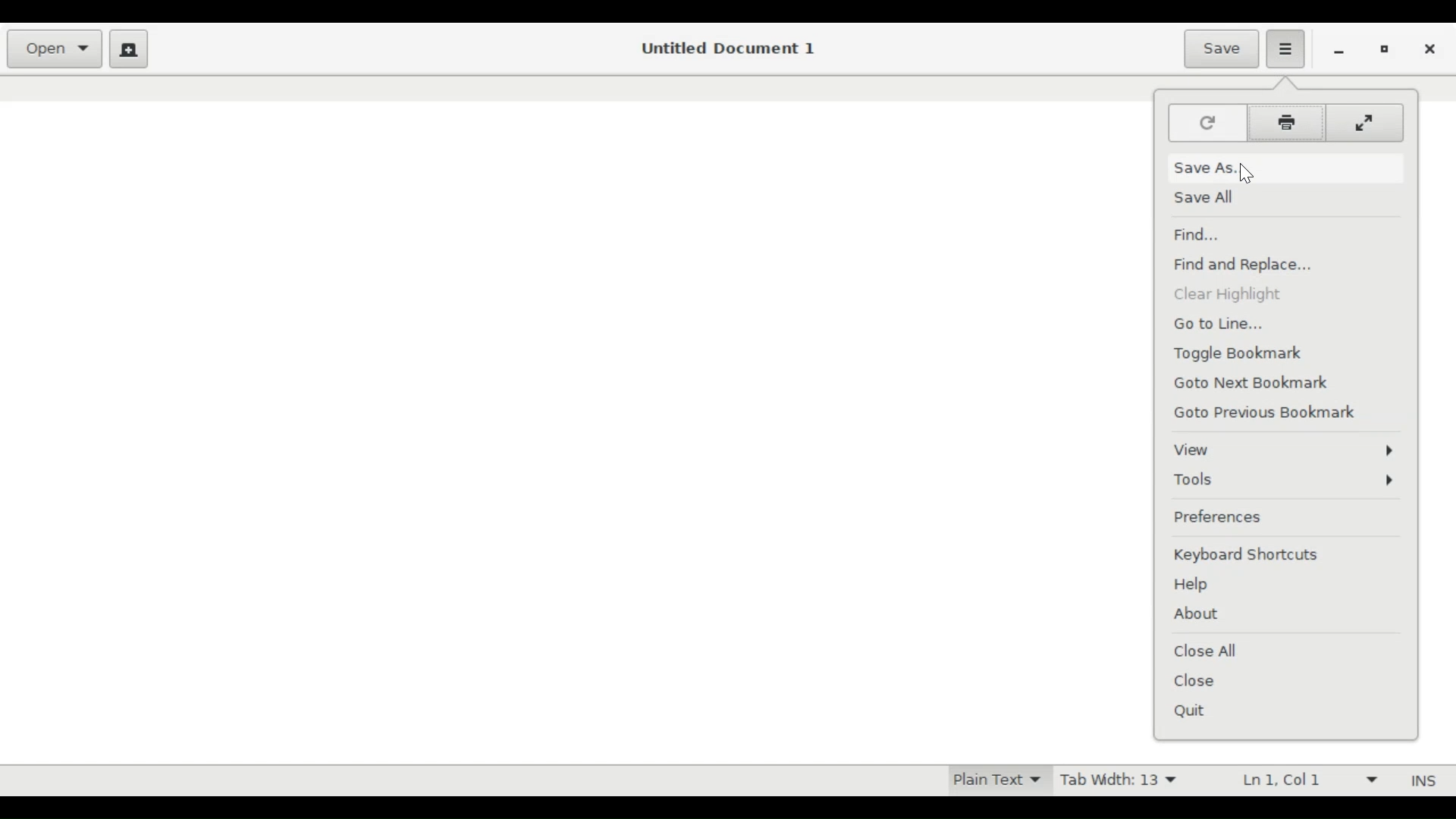  I want to click on View, so click(1282, 451).